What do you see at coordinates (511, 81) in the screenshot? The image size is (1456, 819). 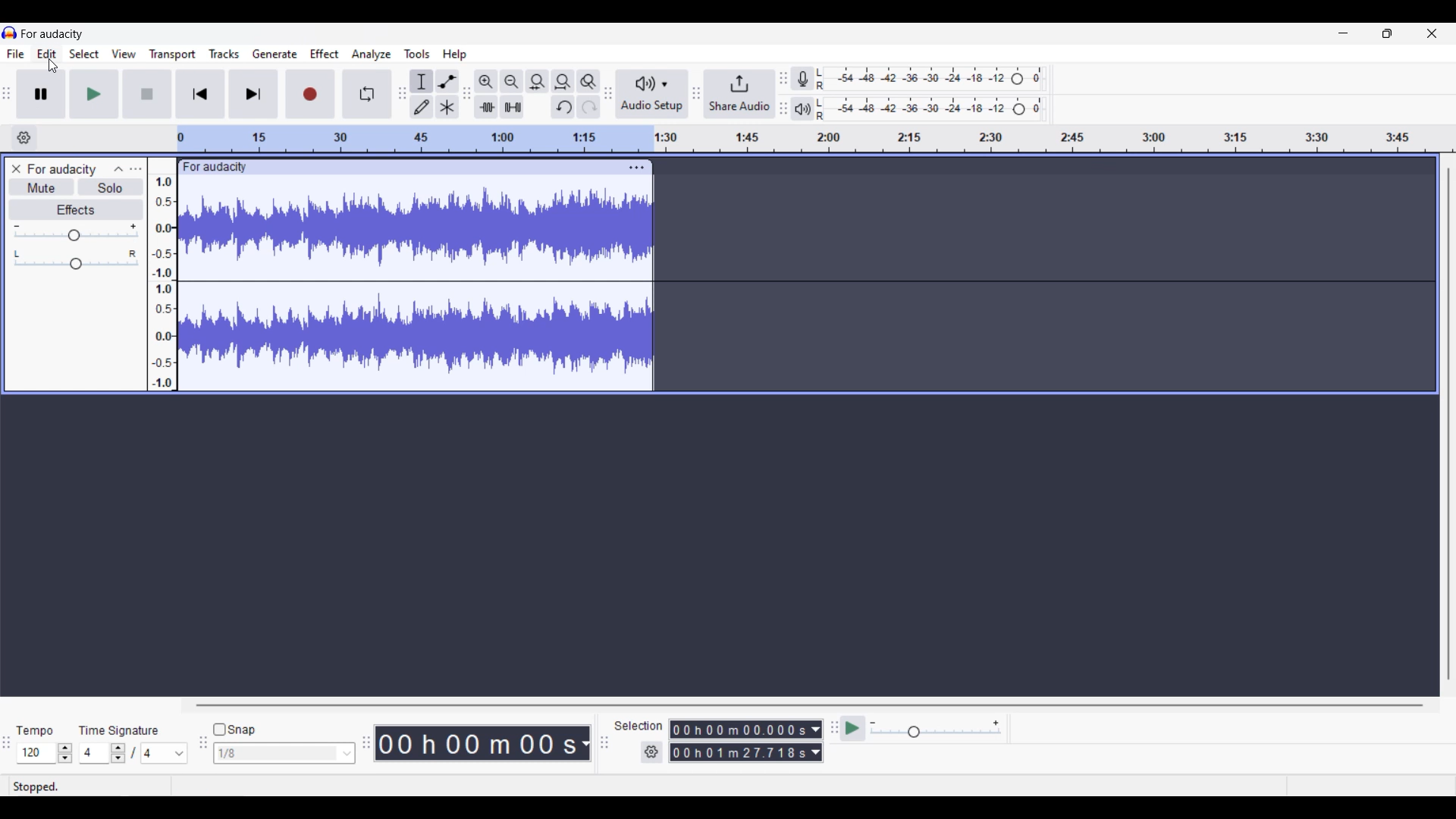 I see `Zoom out` at bounding box center [511, 81].